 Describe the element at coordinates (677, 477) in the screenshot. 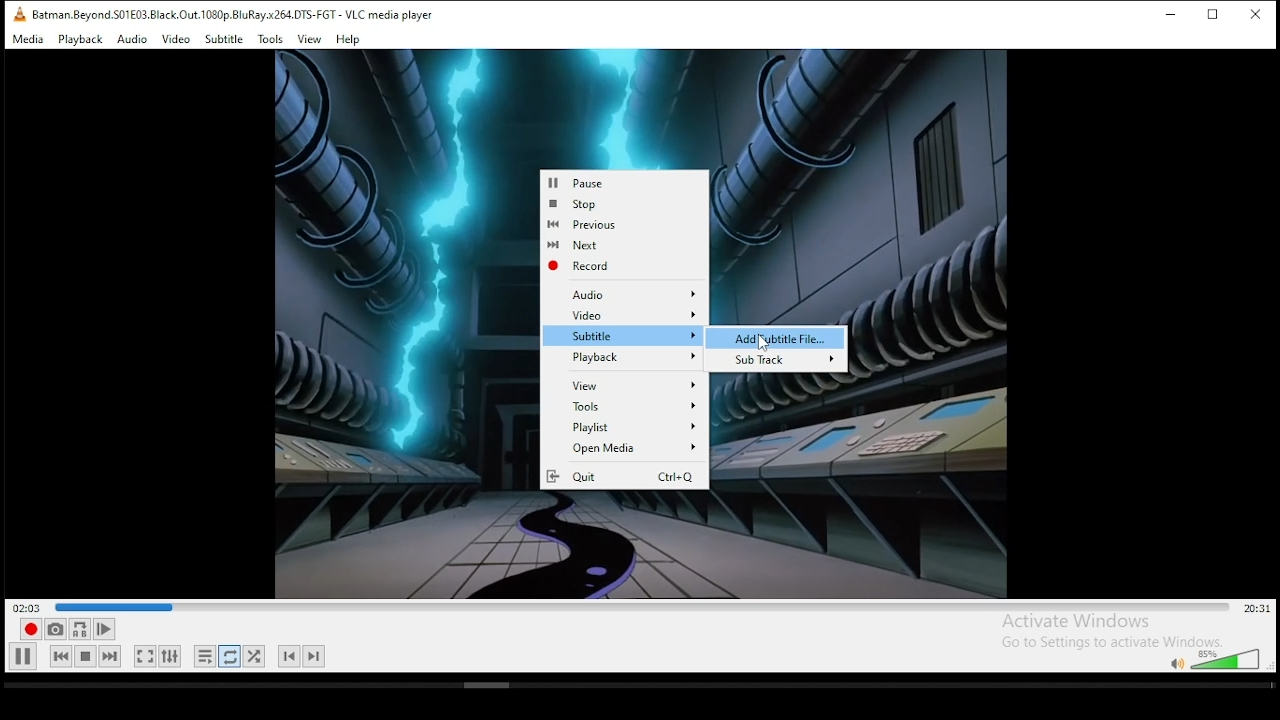

I see `Ctrl+Q` at that location.